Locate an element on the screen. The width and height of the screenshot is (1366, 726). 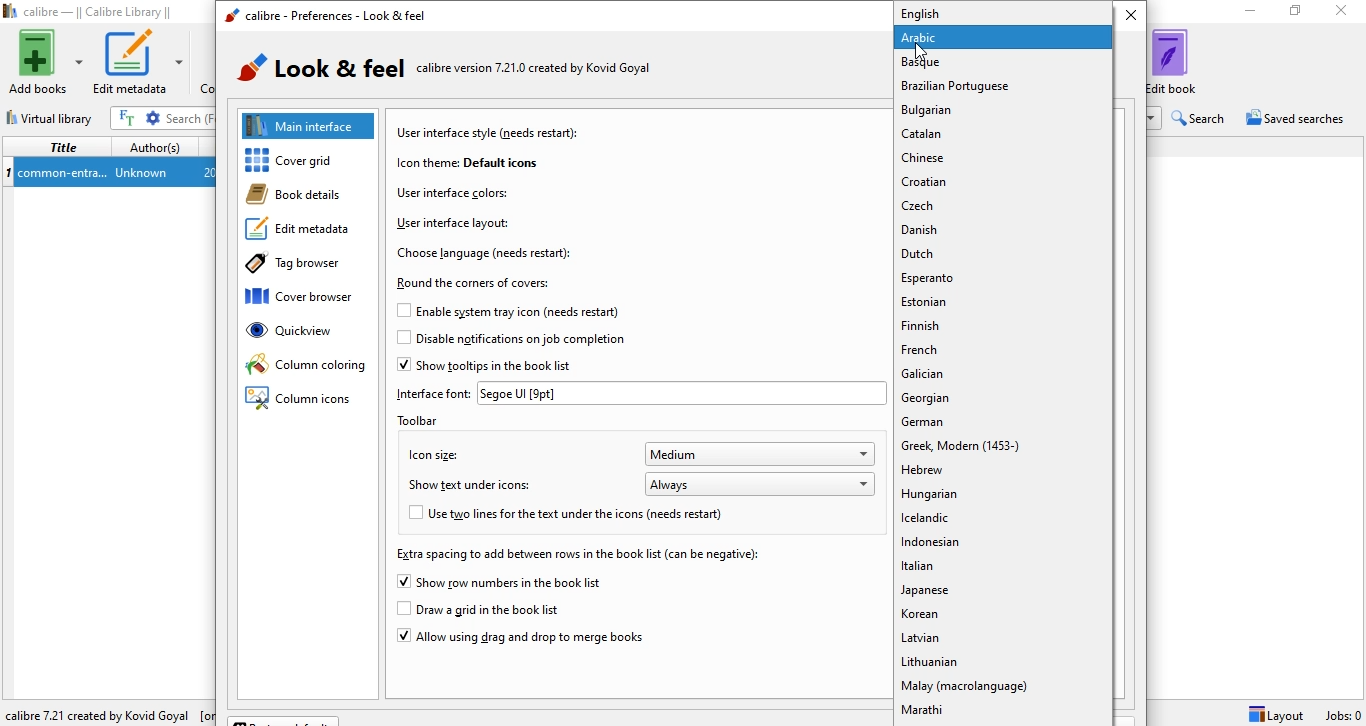
bulgarian is located at coordinates (1002, 110).